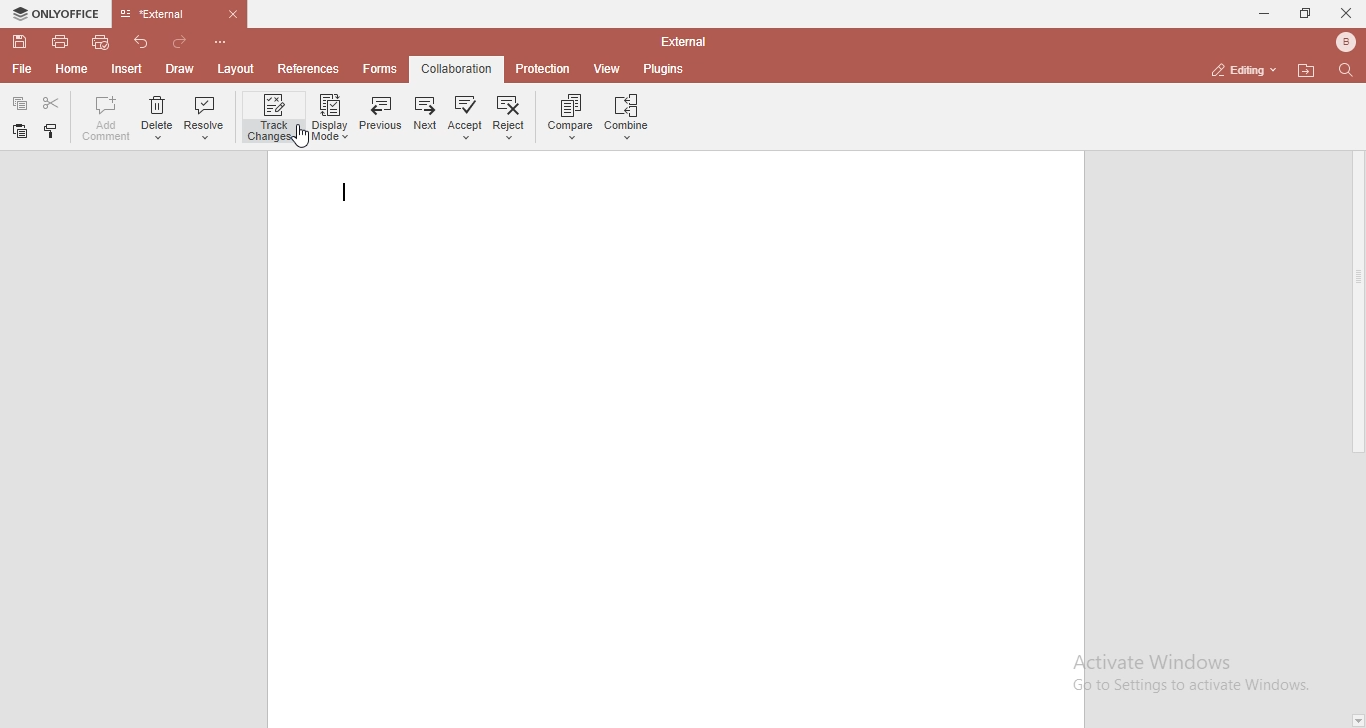  What do you see at coordinates (1261, 13) in the screenshot?
I see `minimise` at bounding box center [1261, 13].